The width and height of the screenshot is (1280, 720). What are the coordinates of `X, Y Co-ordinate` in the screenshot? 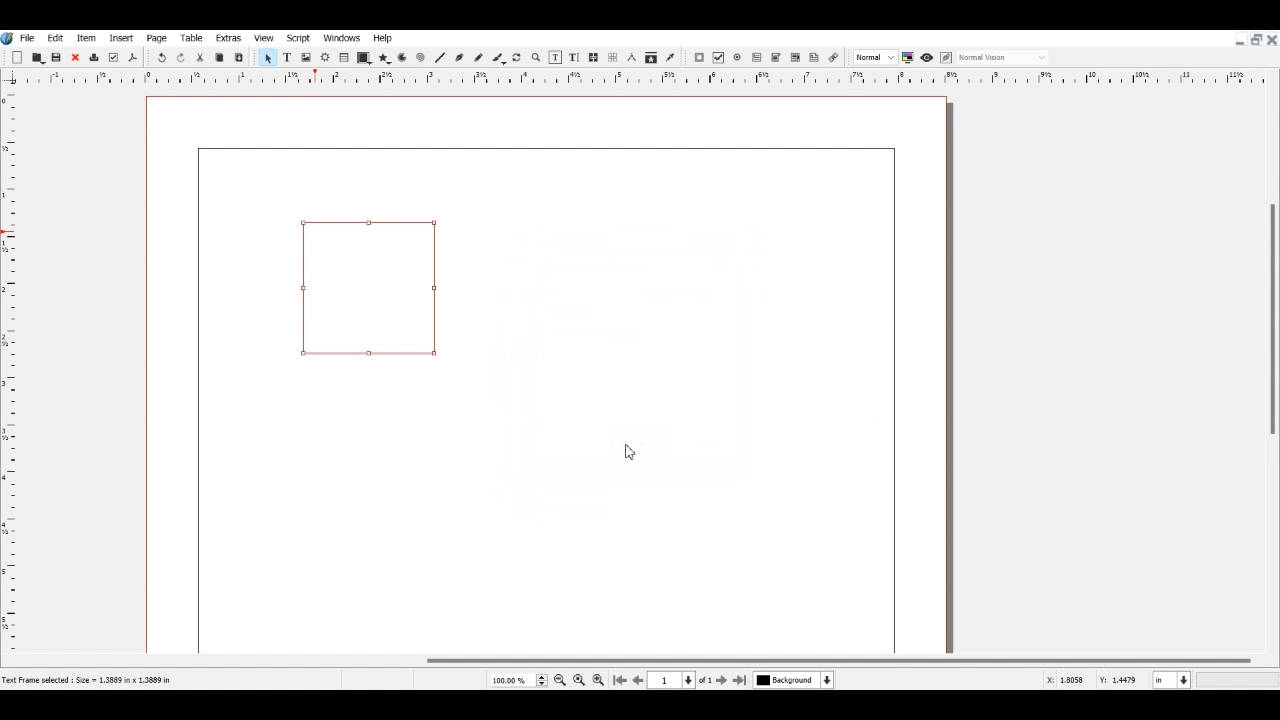 It's located at (1067, 680).